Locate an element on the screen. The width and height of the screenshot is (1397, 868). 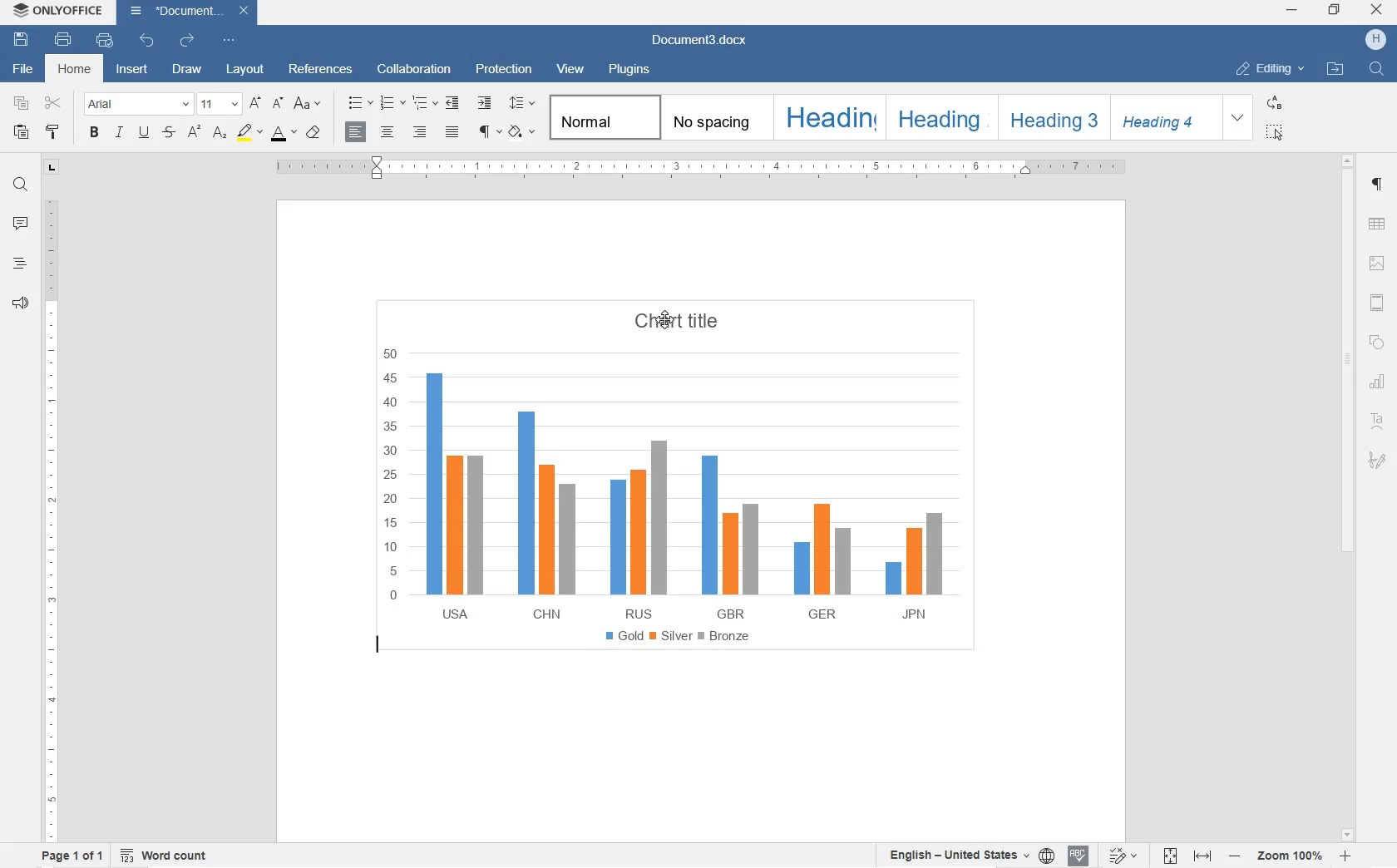
TAB is located at coordinates (52, 166).